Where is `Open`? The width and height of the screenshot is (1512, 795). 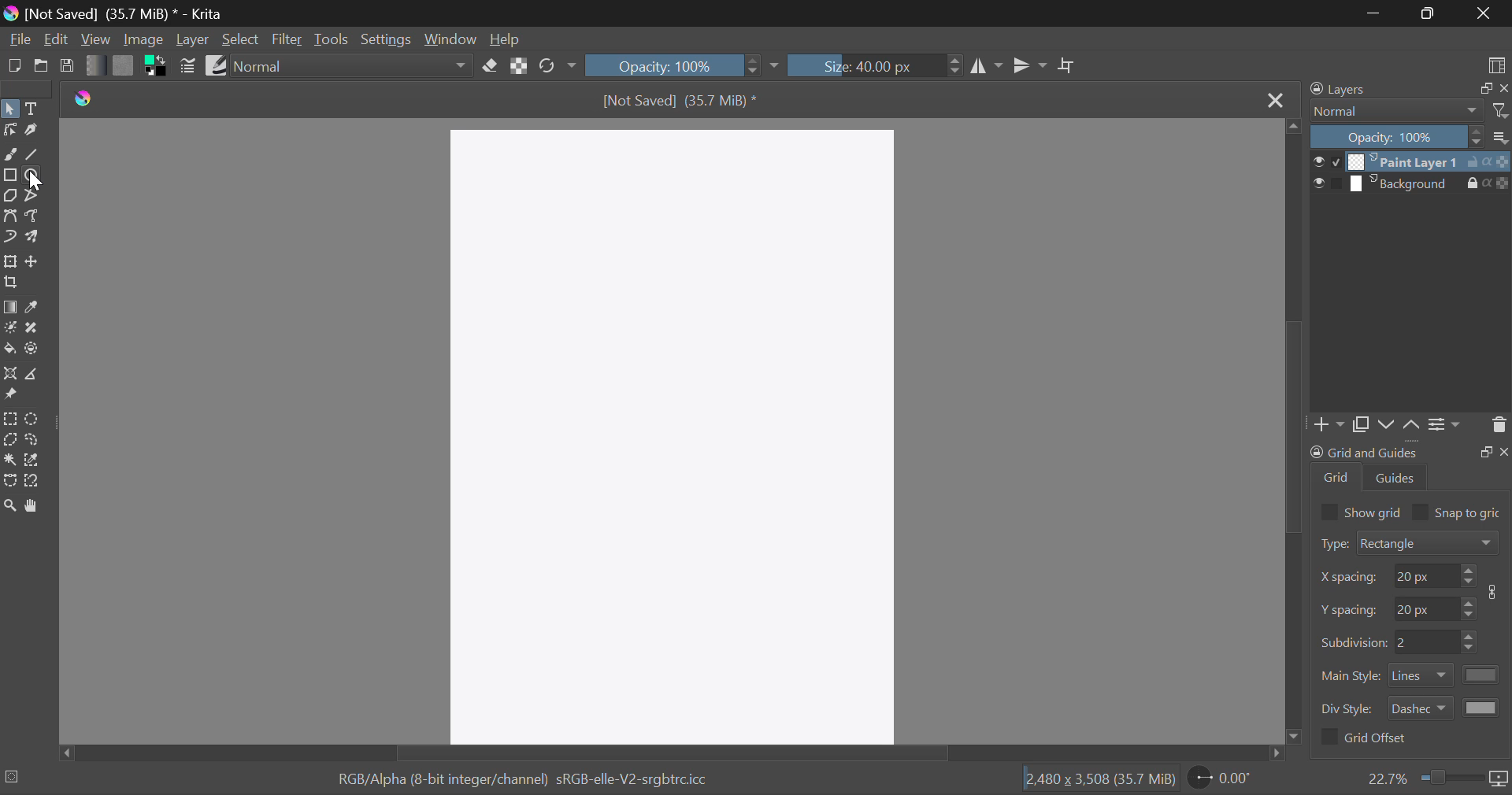 Open is located at coordinates (43, 65).